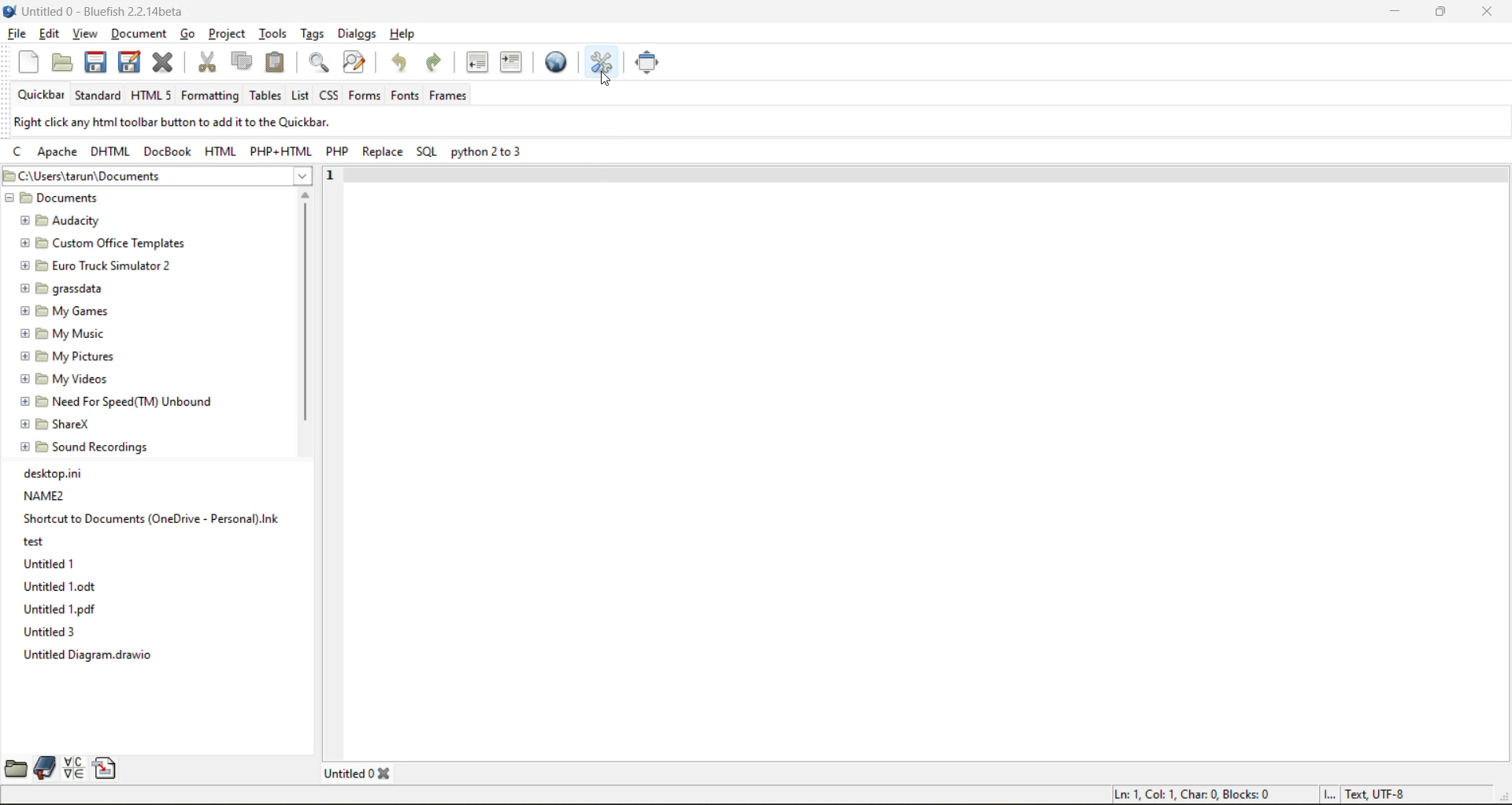  What do you see at coordinates (61, 63) in the screenshot?
I see `open` at bounding box center [61, 63].